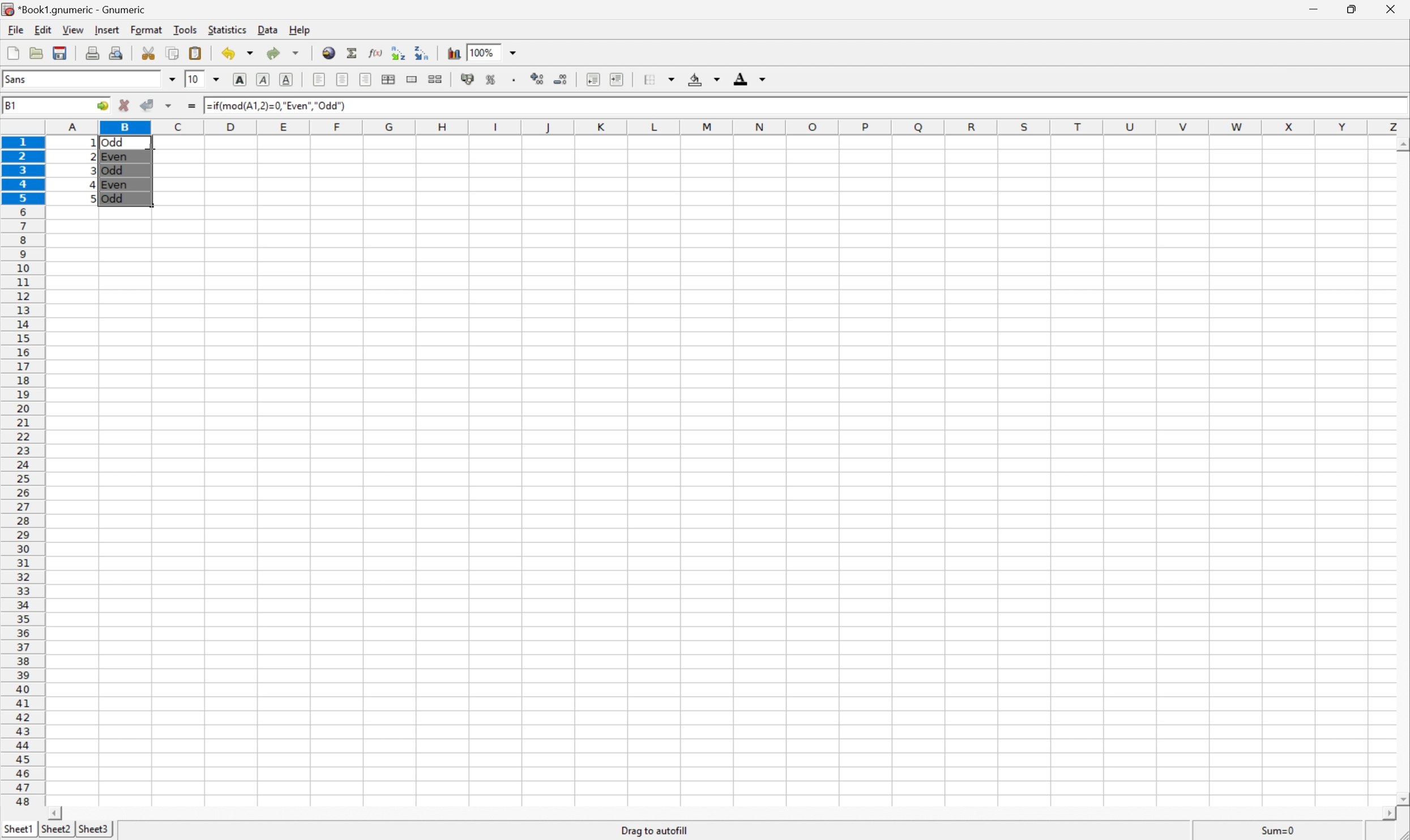  I want to click on Cut selection, so click(147, 52).